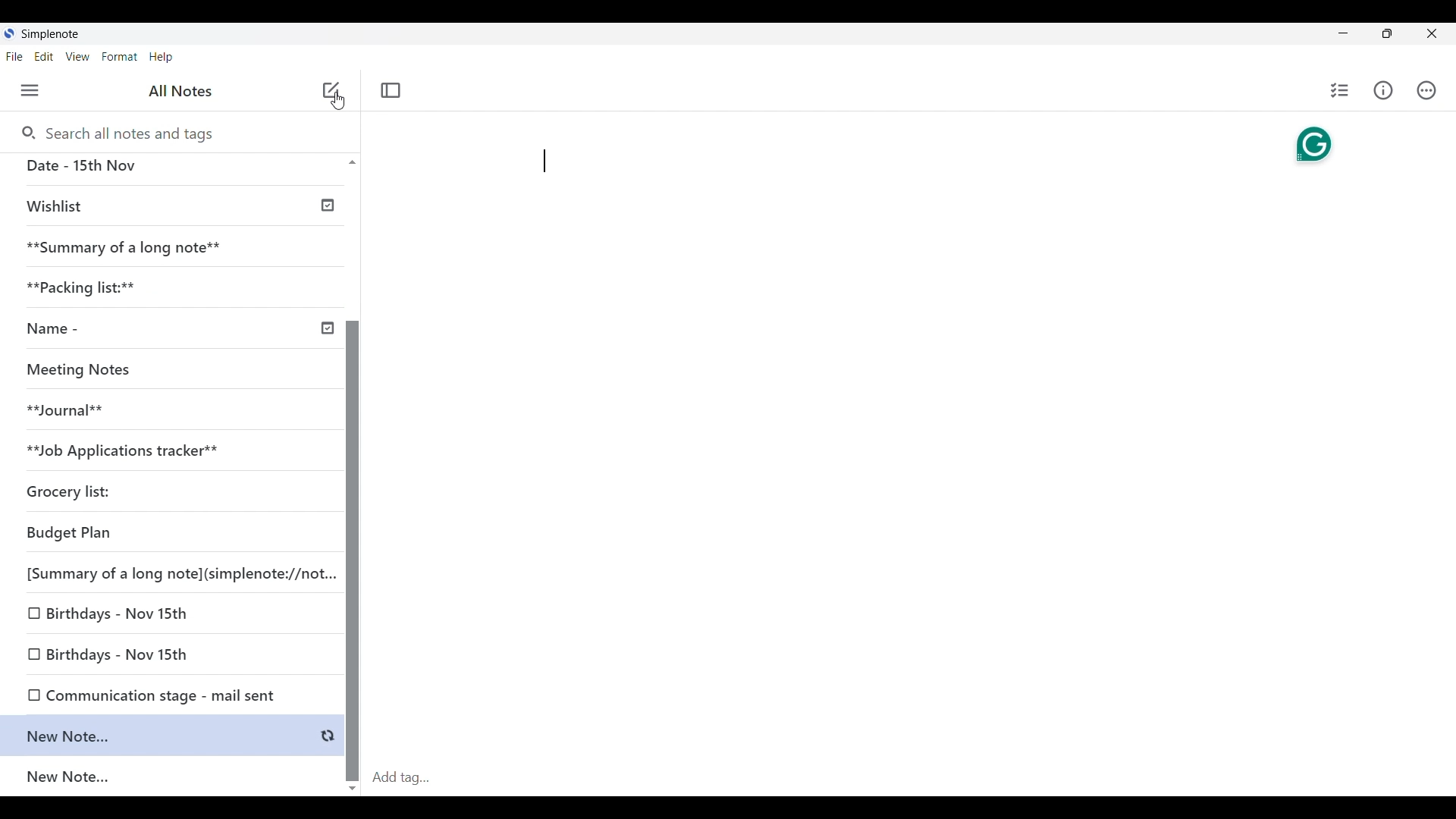 The height and width of the screenshot is (819, 1456). I want to click on Insert checklist, so click(1340, 90).